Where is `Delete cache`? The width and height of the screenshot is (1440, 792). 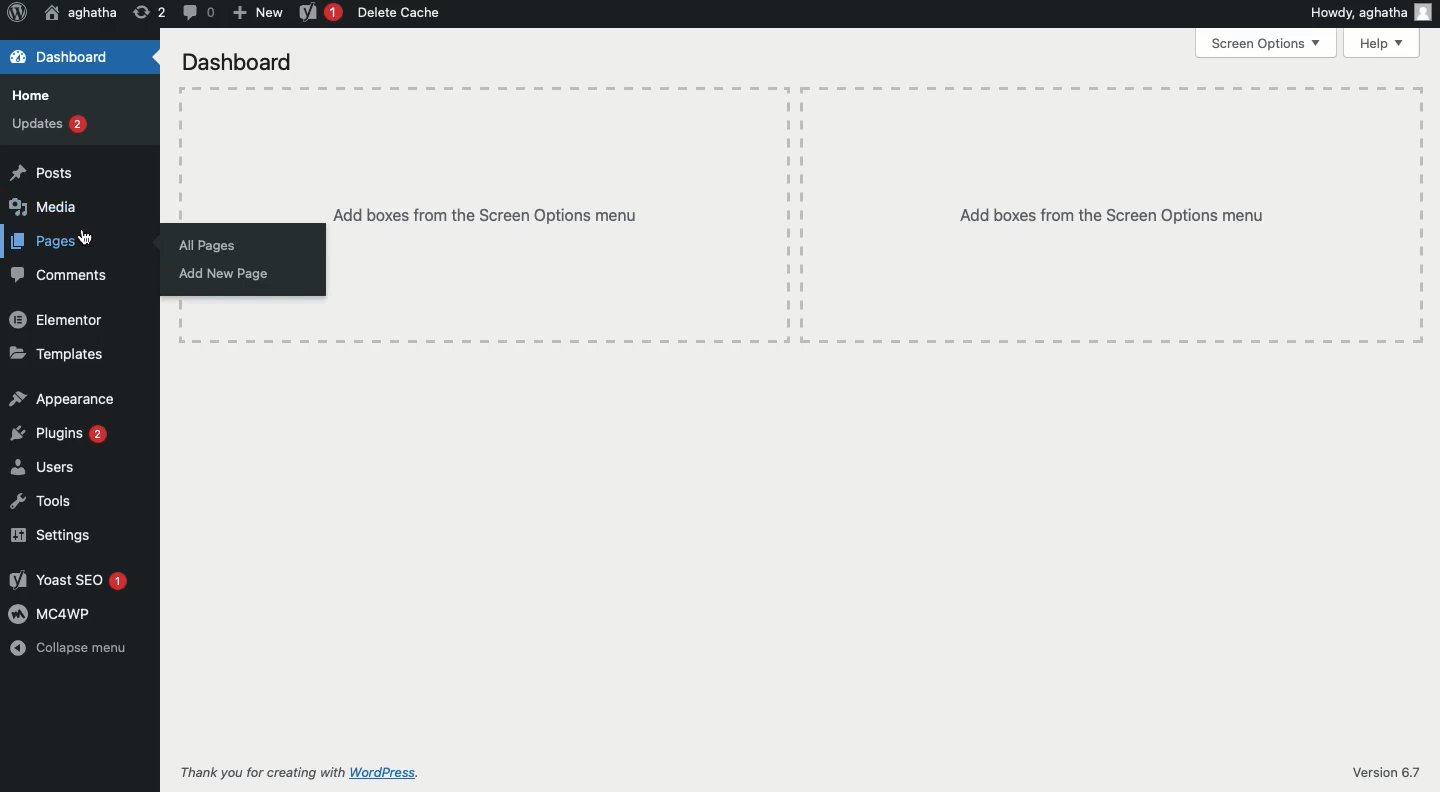
Delete cache is located at coordinates (400, 13).